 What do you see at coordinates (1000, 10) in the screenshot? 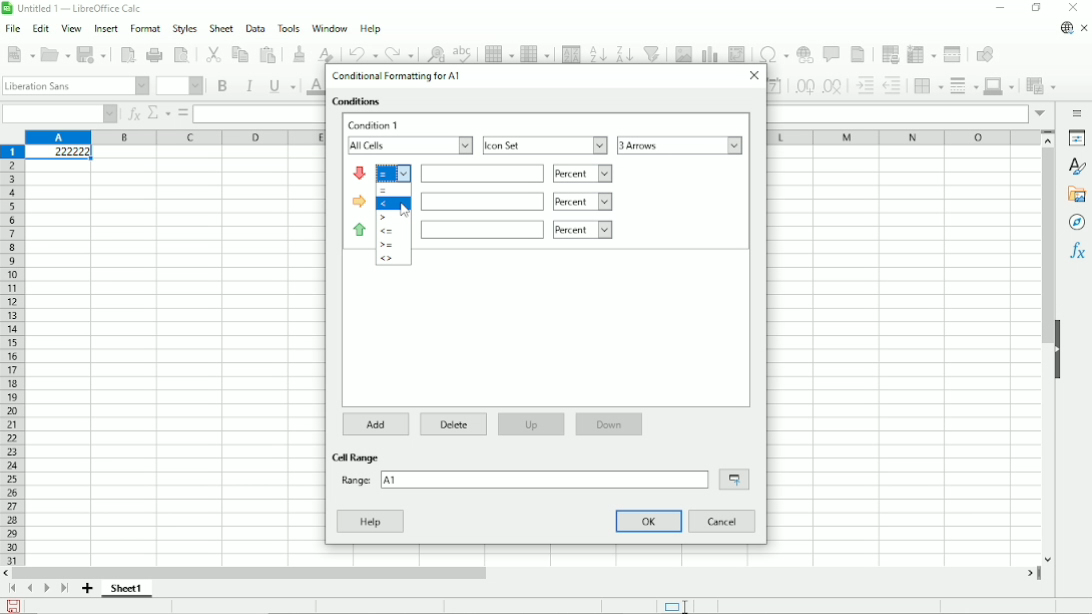
I see `Minimize` at bounding box center [1000, 10].